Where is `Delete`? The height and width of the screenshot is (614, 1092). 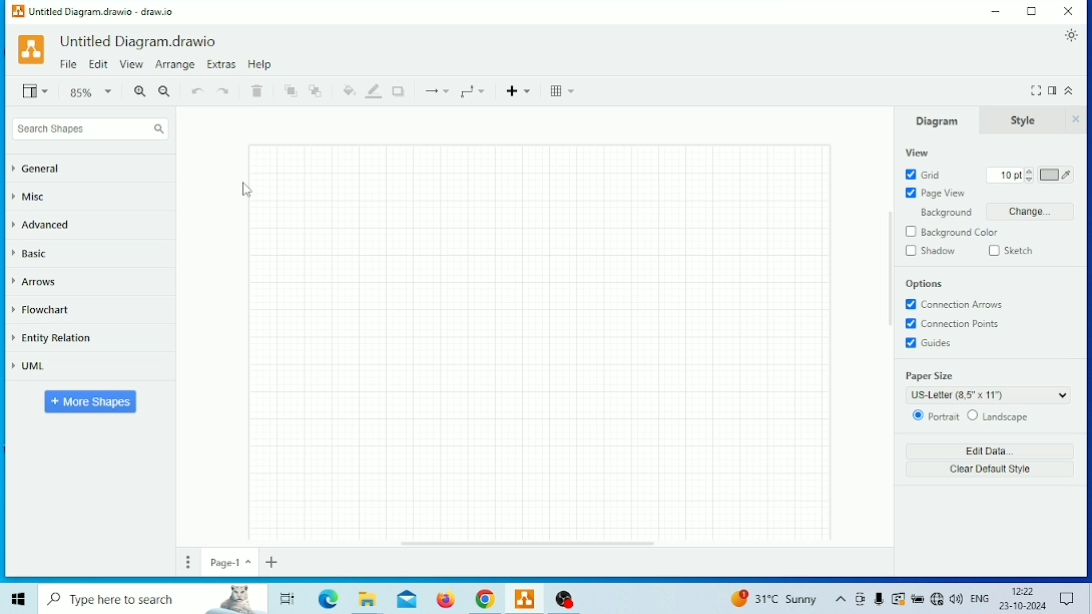 Delete is located at coordinates (257, 91).